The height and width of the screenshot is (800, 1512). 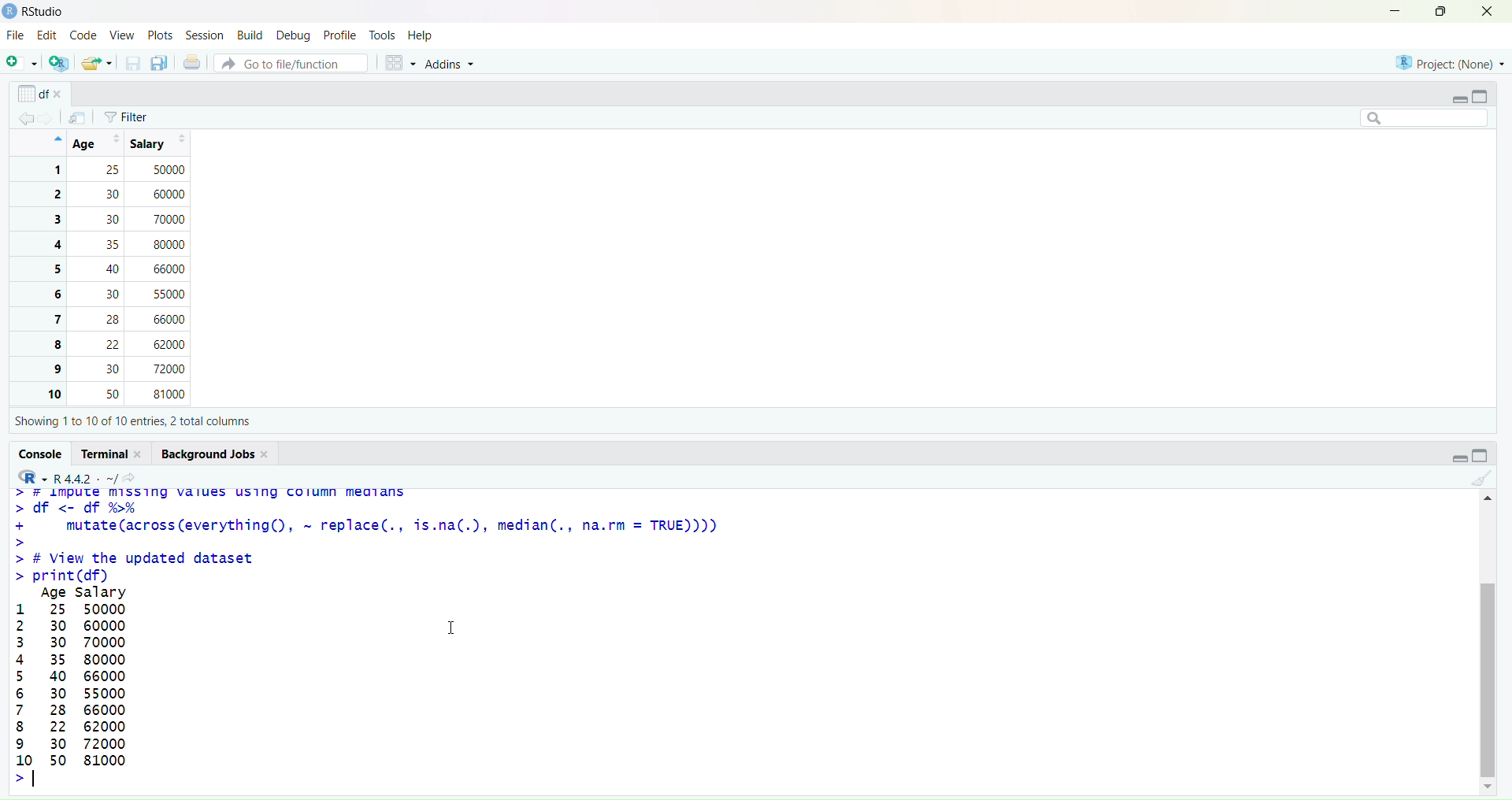 I want to click on forward, so click(x=51, y=118).